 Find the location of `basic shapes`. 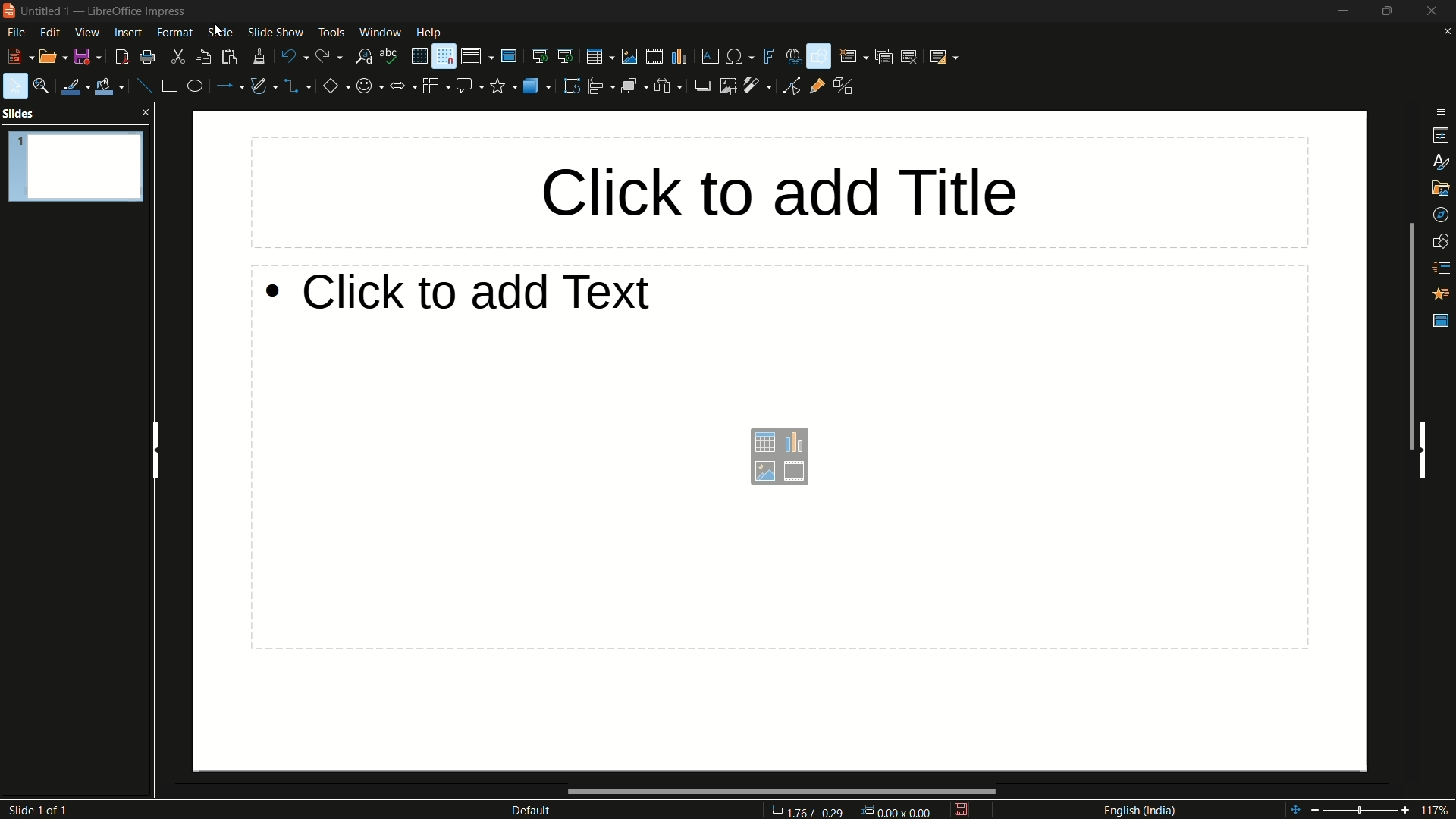

basic shapes is located at coordinates (336, 86).